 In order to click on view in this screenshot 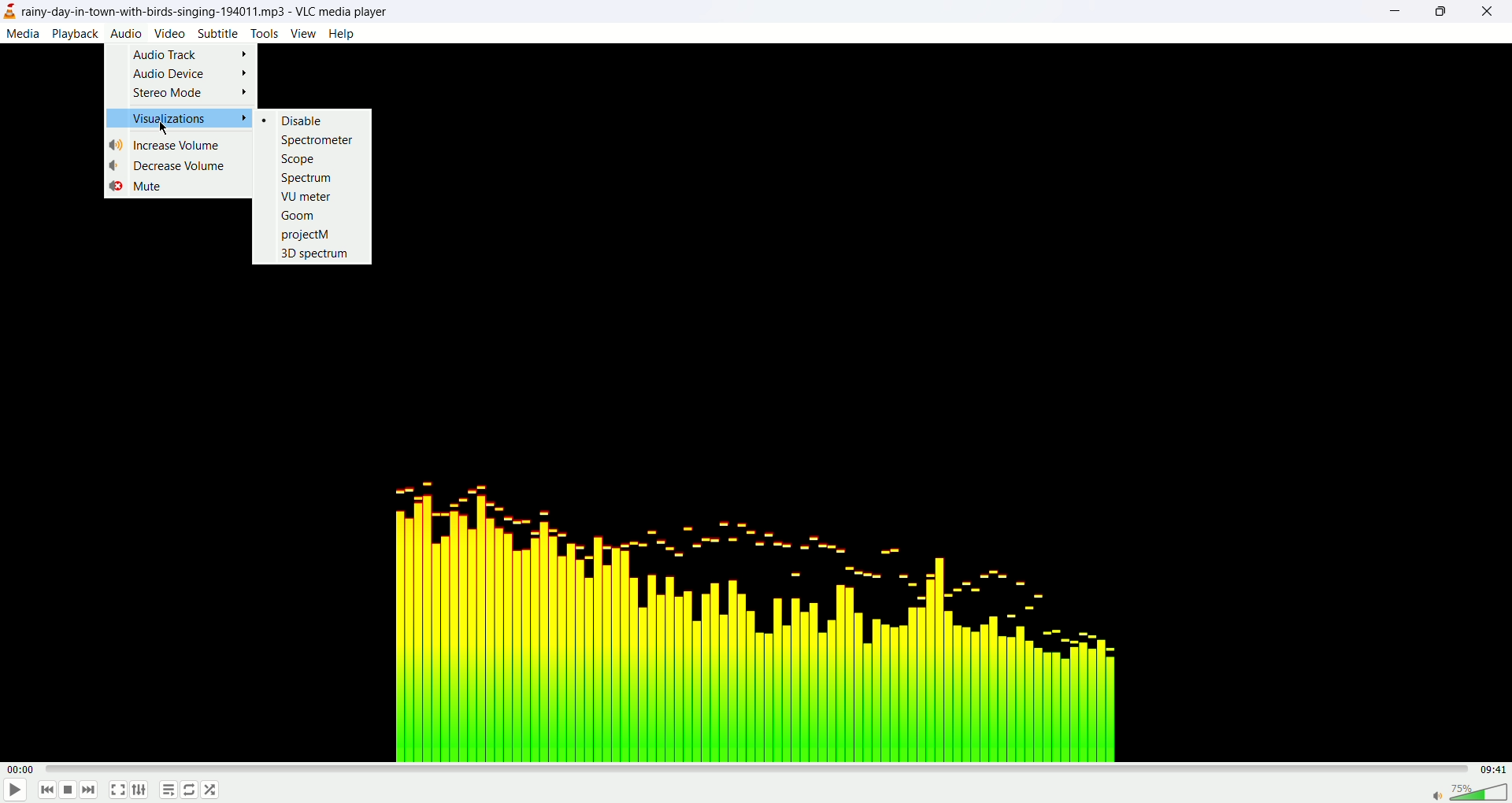, I will do `click(303, 33)`.